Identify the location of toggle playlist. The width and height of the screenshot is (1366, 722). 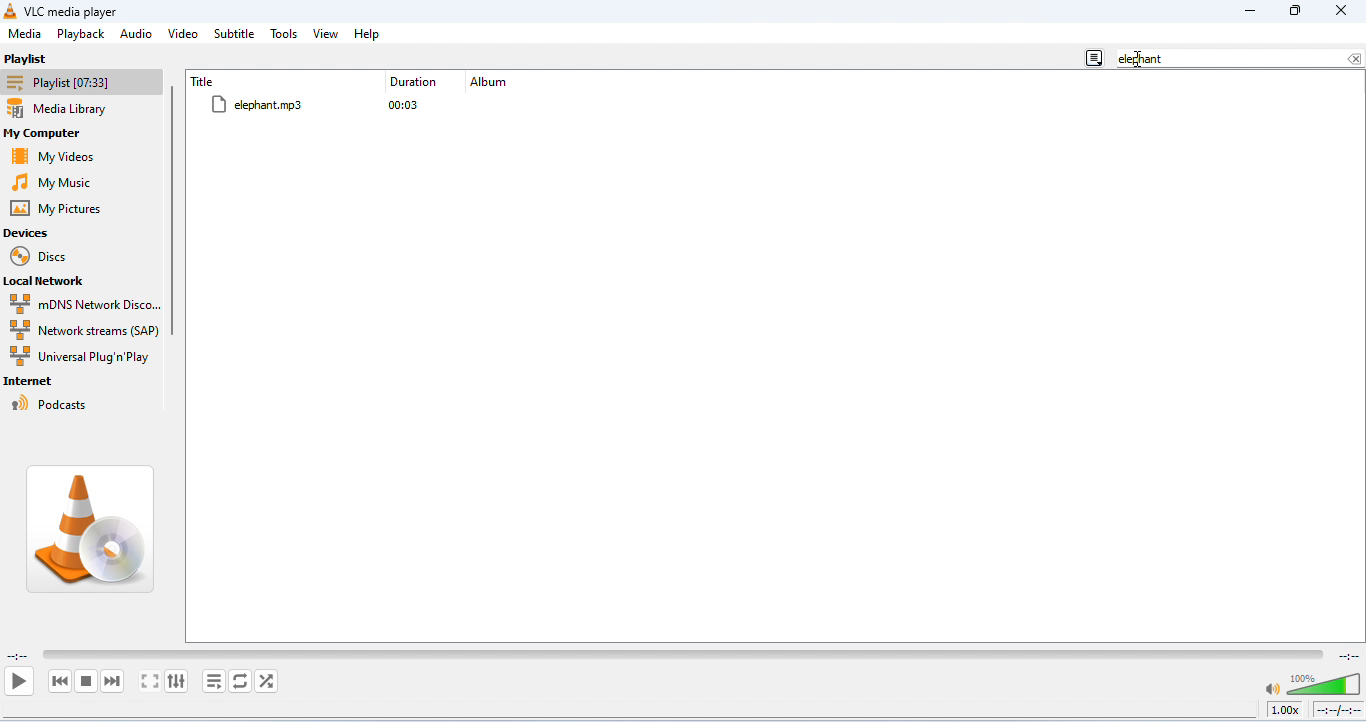
(213, 681).